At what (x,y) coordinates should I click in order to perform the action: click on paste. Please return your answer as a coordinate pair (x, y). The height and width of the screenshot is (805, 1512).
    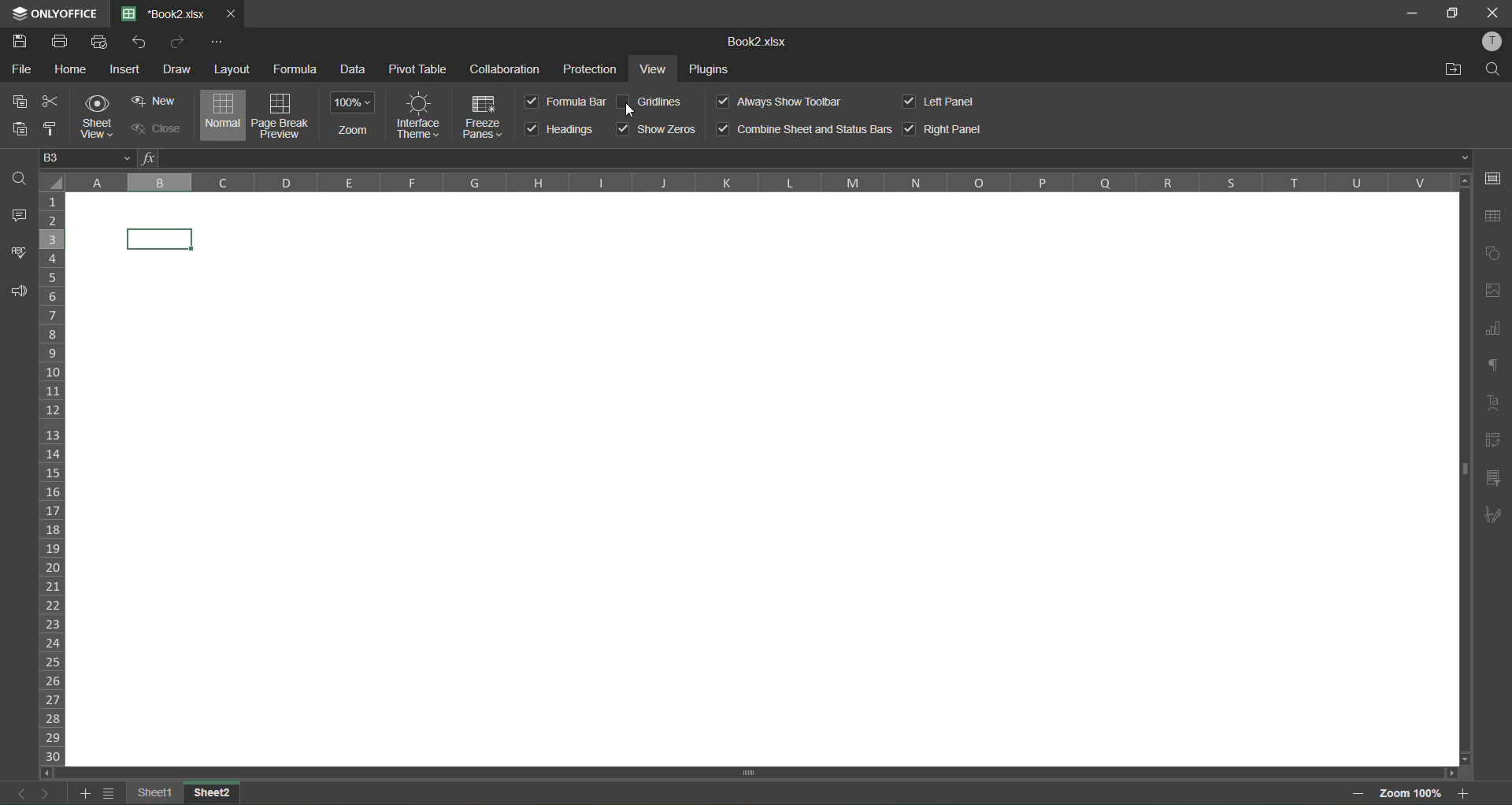
    Looking at the image, I should click on (20, 131).